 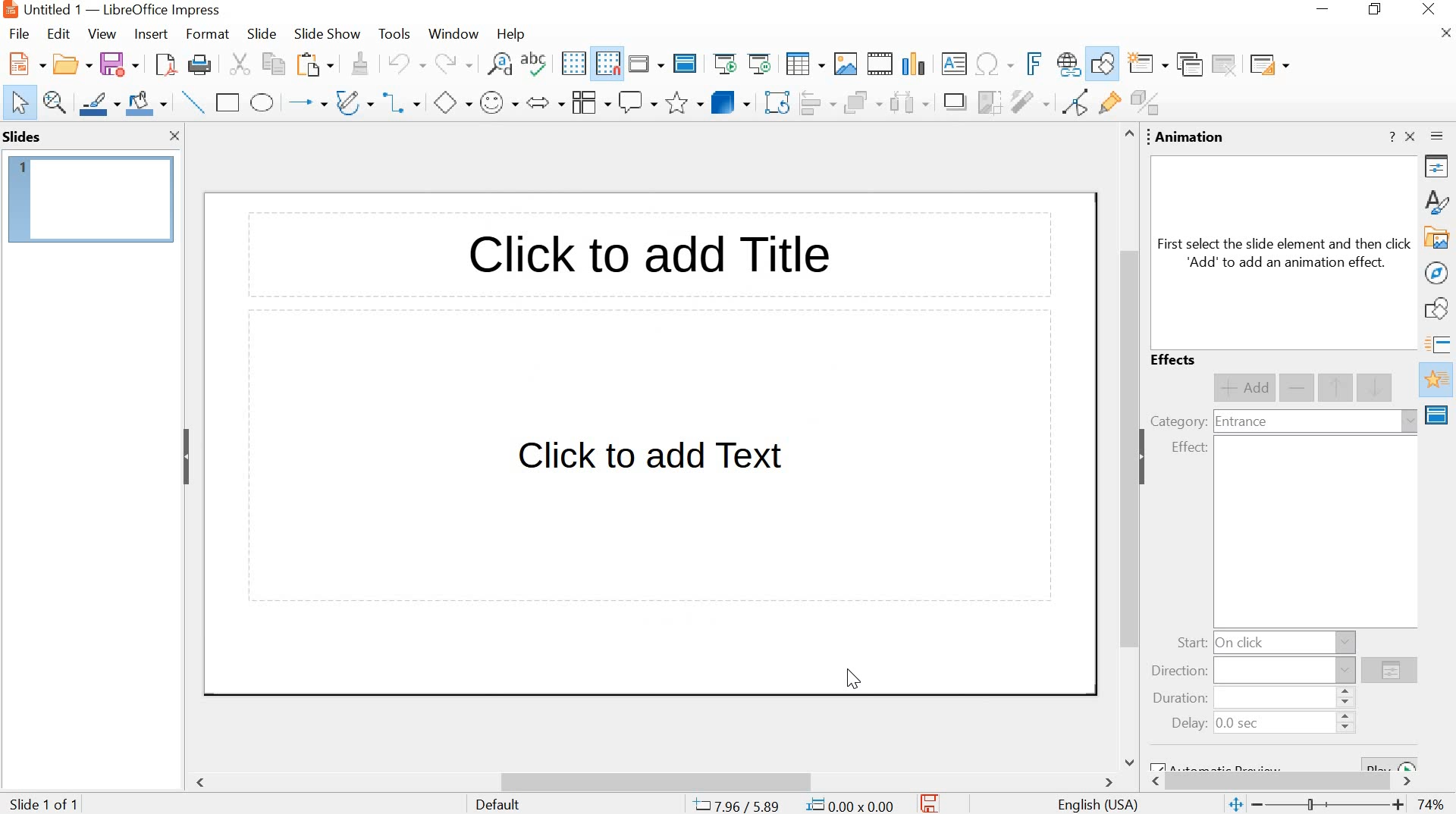 I want to click on undo, so click(x=404, y=62).